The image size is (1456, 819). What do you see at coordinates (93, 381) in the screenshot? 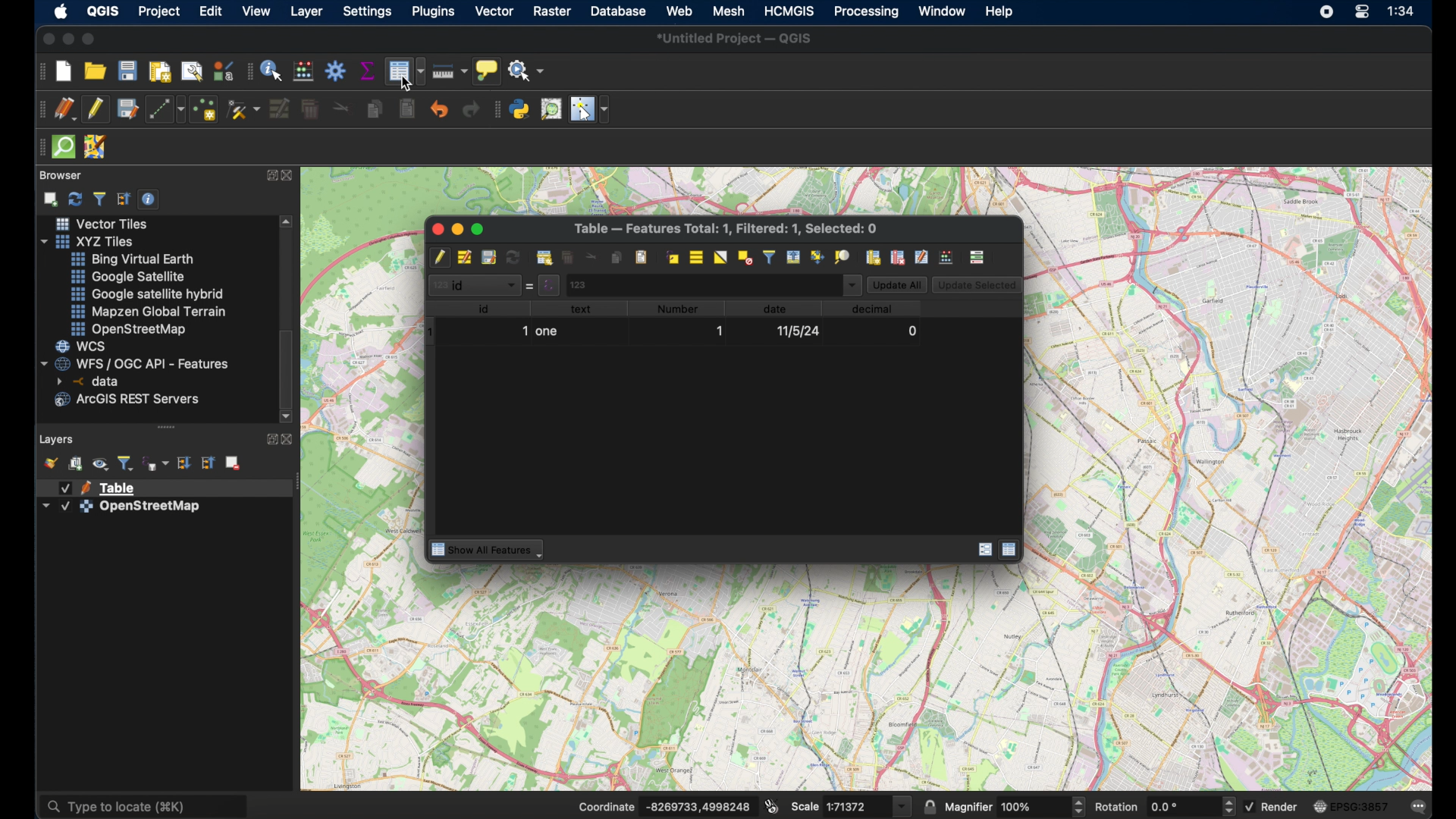
I see `data` at bounding box center [93, 381].